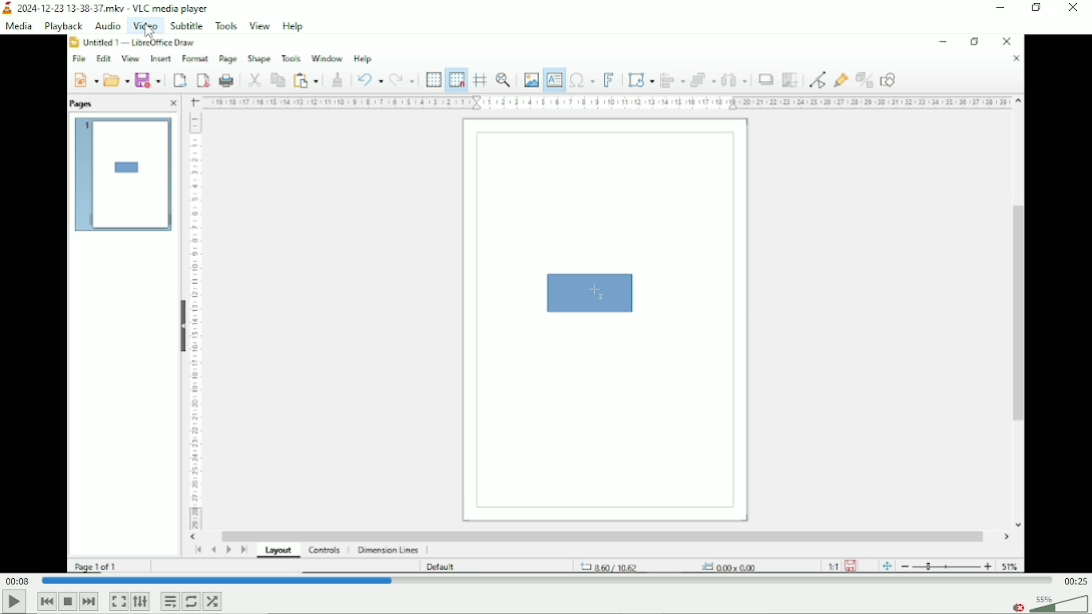 The image size is (1092, 614). Describe the element at coordinates (225, 26) in the screenshot. I see `Tools` at that location.